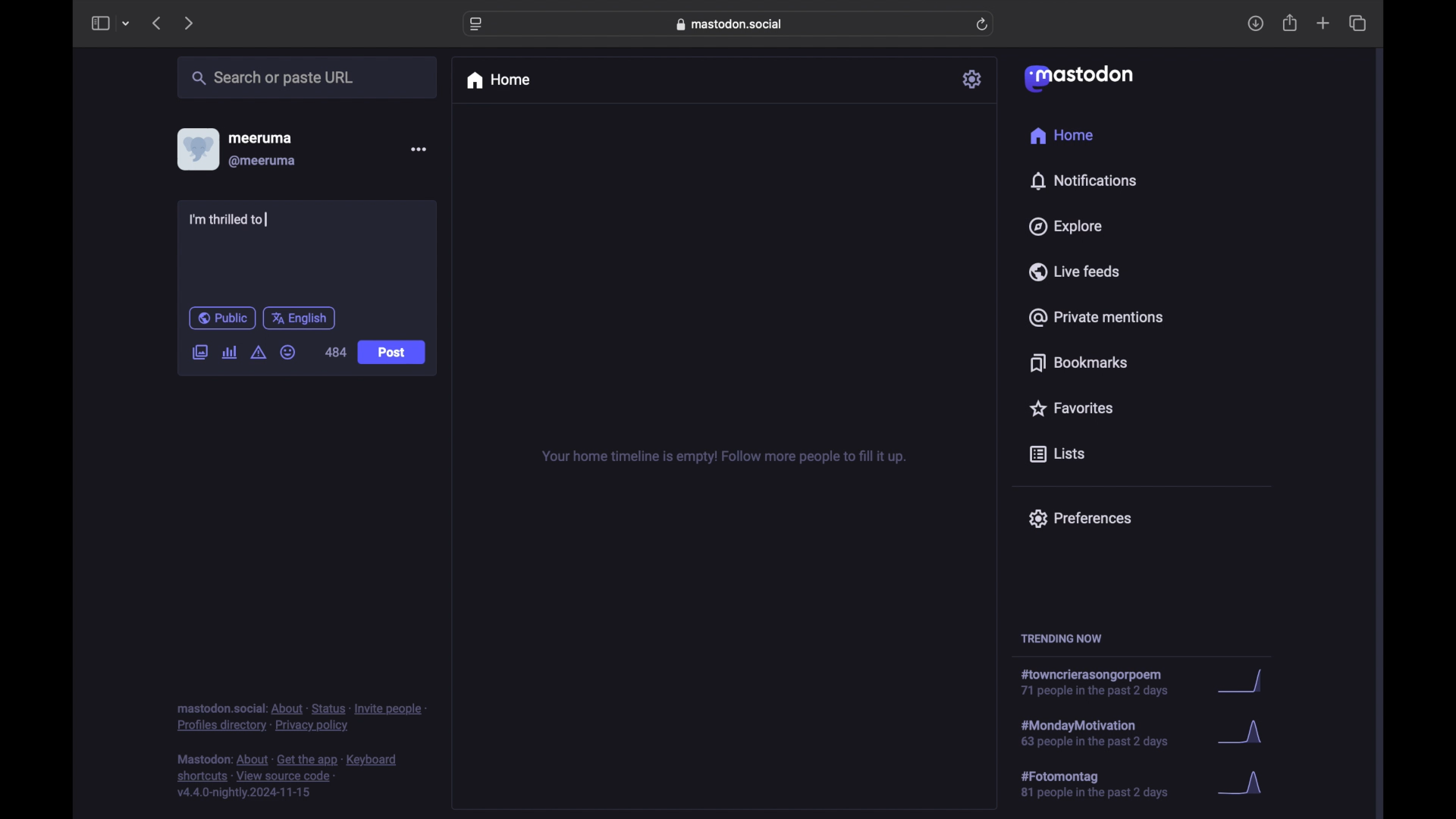  I want to click on hashtag trend, so click(1100, 682).